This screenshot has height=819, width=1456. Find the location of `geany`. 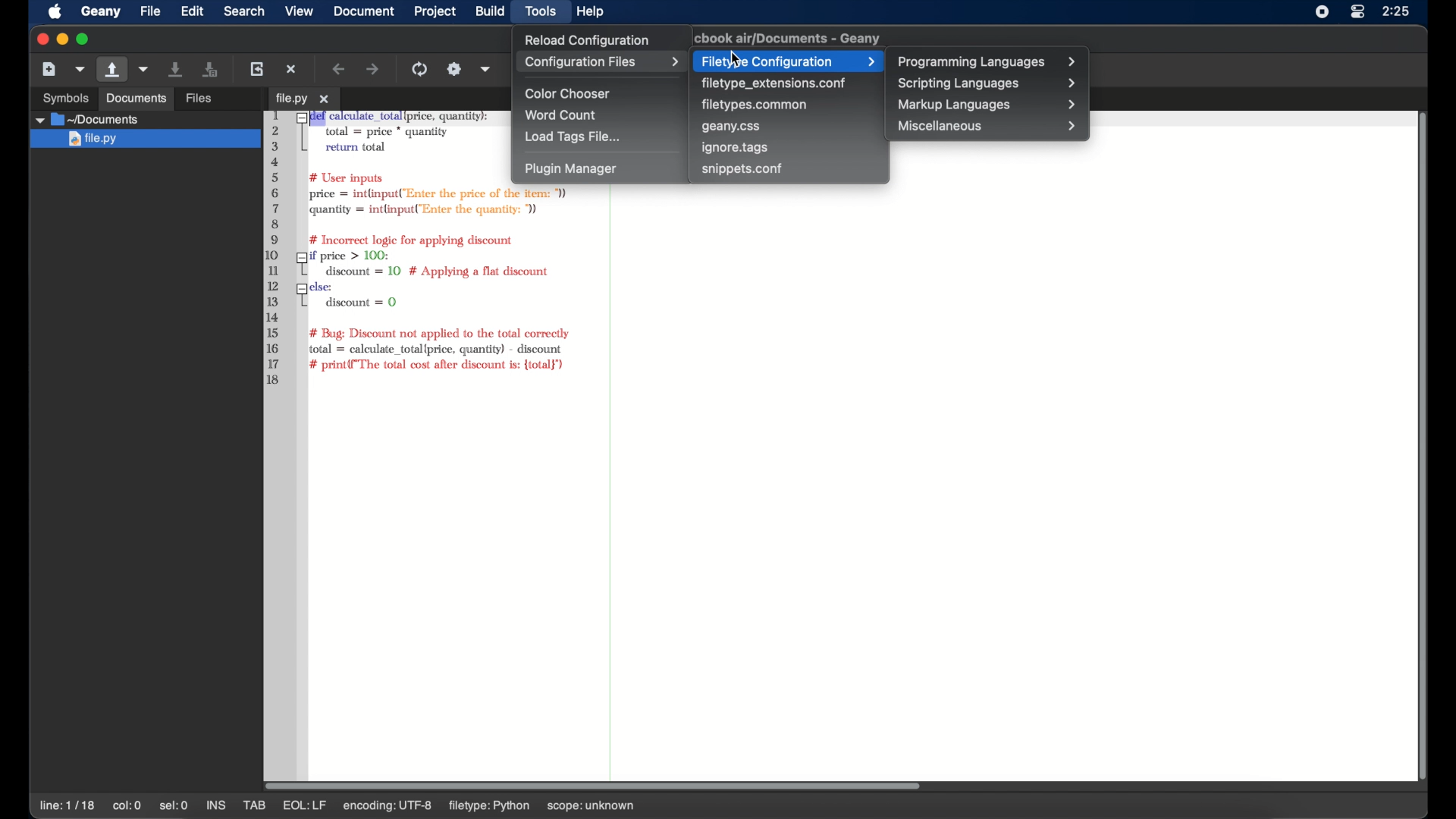

geany is located at coordinates (792, 38).